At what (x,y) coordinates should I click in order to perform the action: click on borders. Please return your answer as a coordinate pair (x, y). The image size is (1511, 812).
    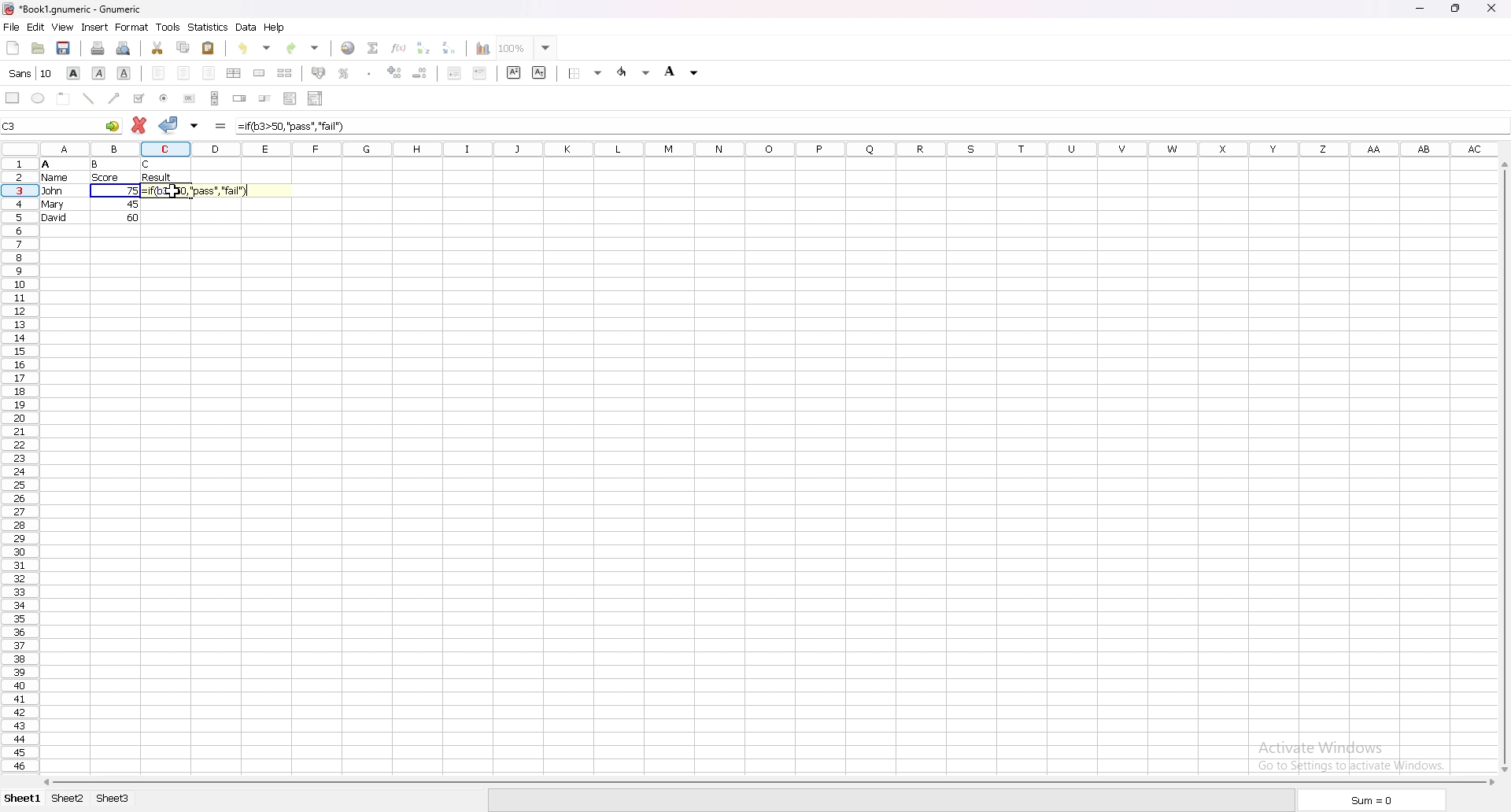
    Looking at the image, I should click on (585, 72).